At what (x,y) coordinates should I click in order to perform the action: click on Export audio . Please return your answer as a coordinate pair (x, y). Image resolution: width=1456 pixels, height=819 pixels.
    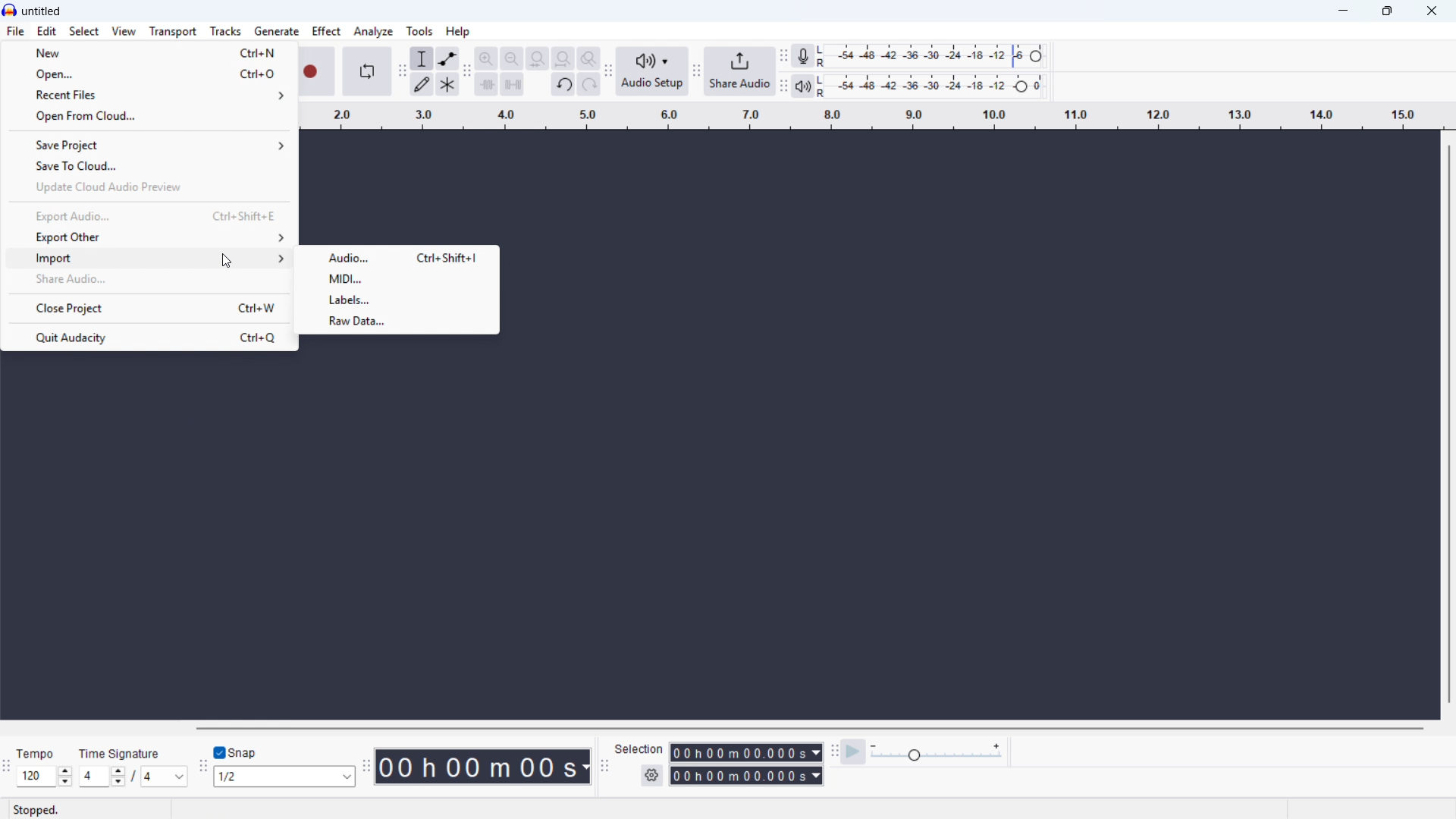
    Looking at the image, I should click on (146, 217).